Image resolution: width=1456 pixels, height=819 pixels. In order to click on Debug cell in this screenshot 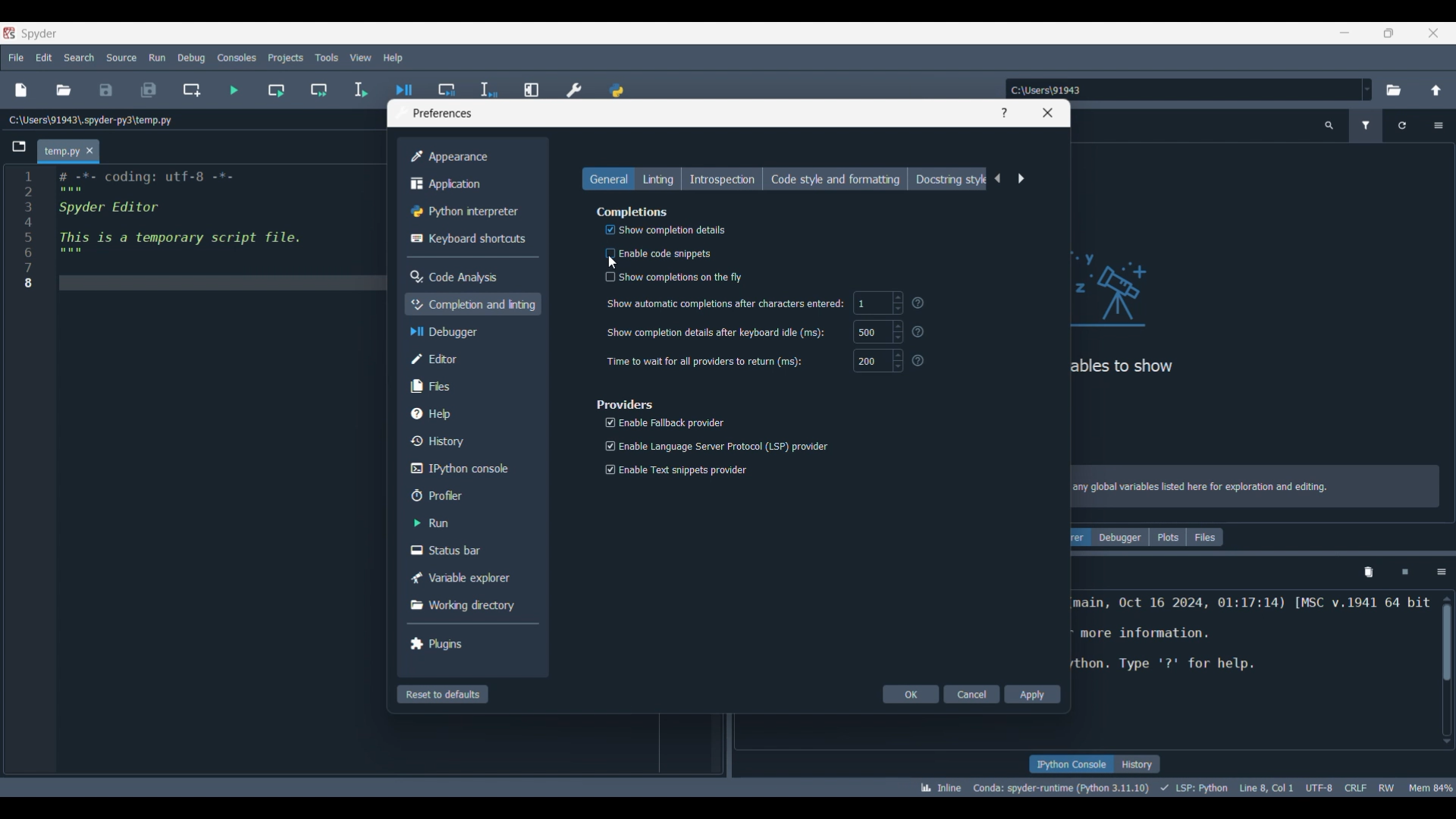, I will do `click(447, 83)`.